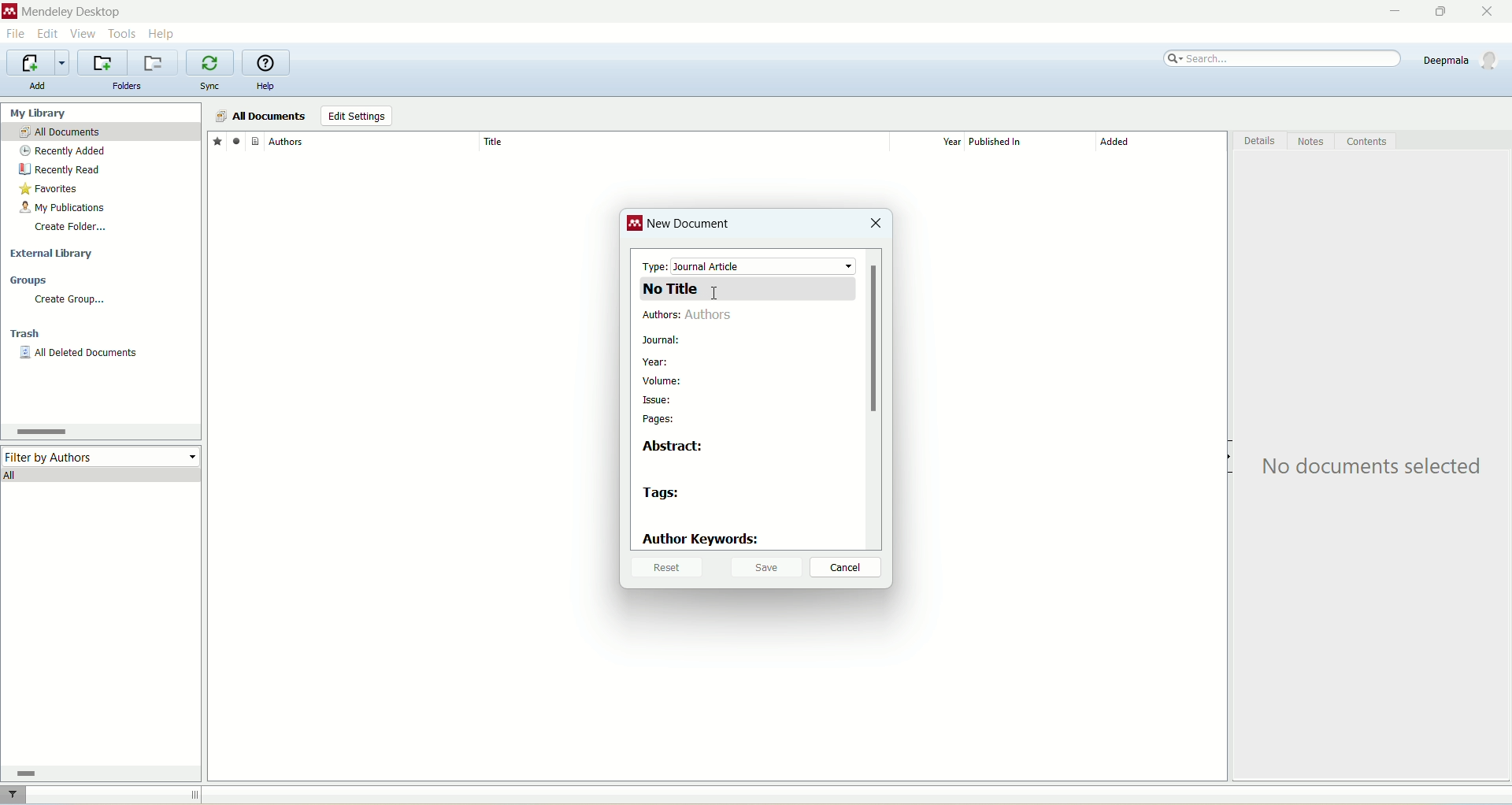 Image resolution: width=1512 pixels, height=805 pixels. I want to click on help, so click(163, 33).